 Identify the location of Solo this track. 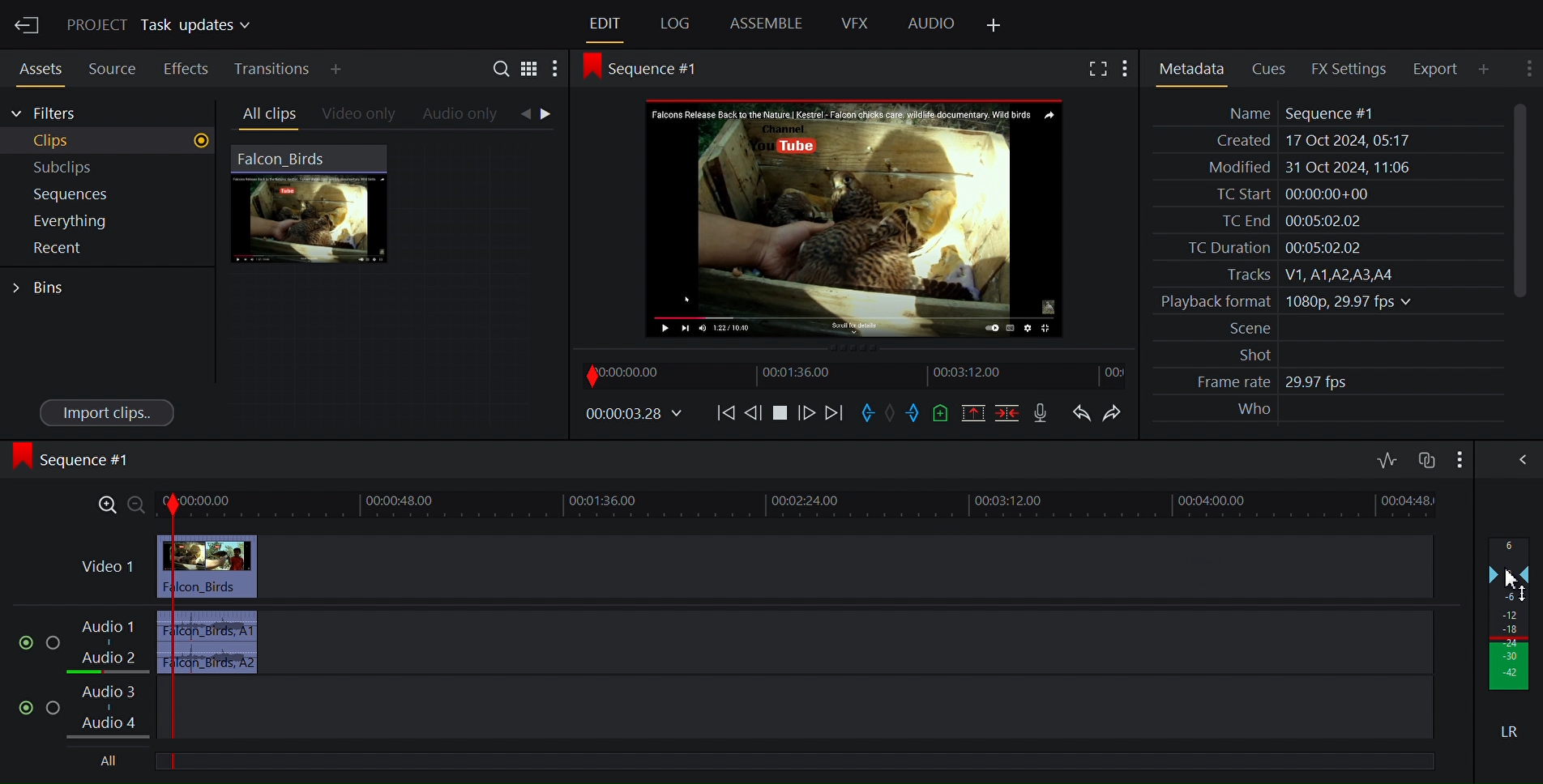
(58, 707).